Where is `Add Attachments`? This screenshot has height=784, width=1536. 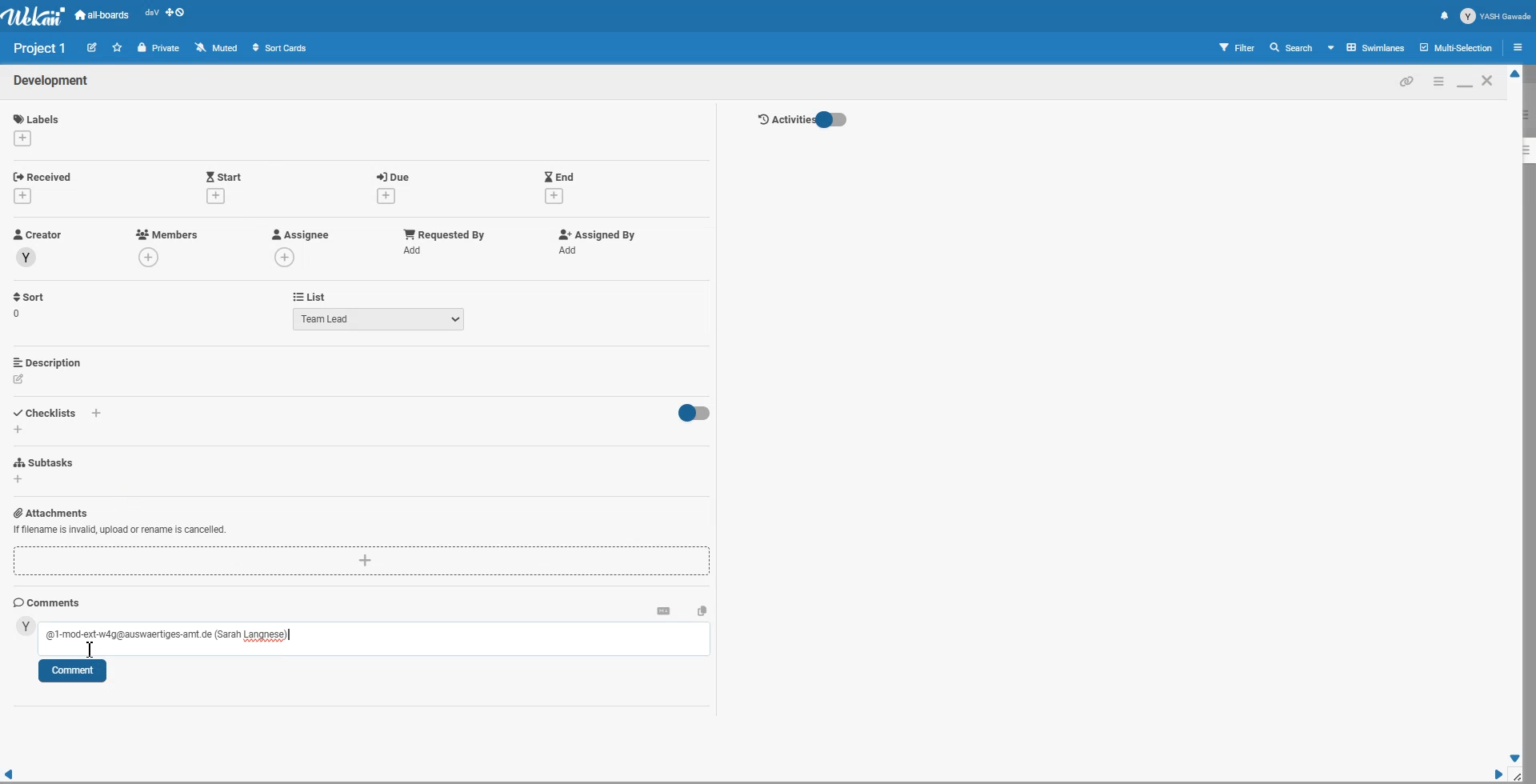
Add Attachments is located at coordinates (362, 562).